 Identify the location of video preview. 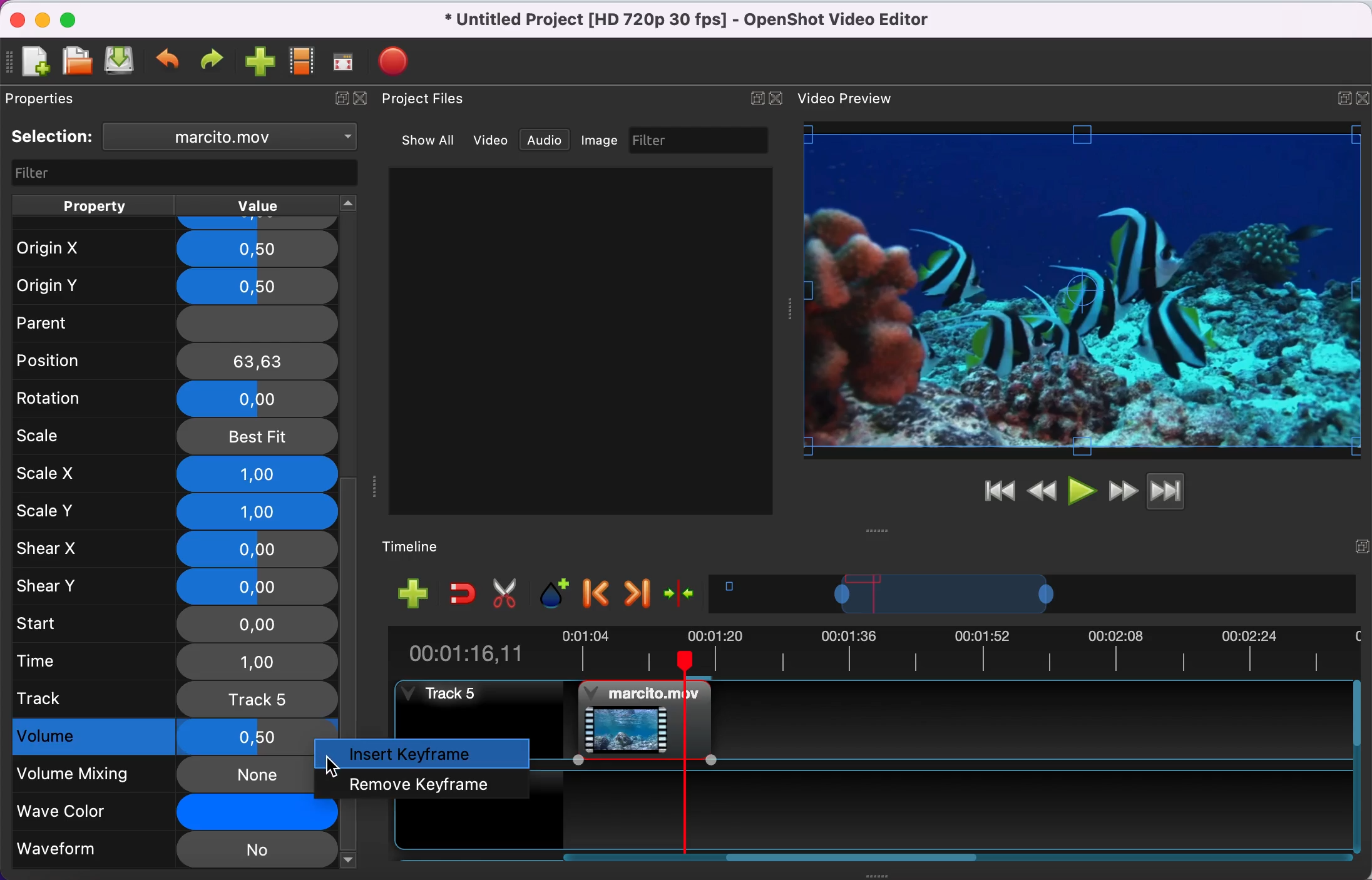
(1083, 291).